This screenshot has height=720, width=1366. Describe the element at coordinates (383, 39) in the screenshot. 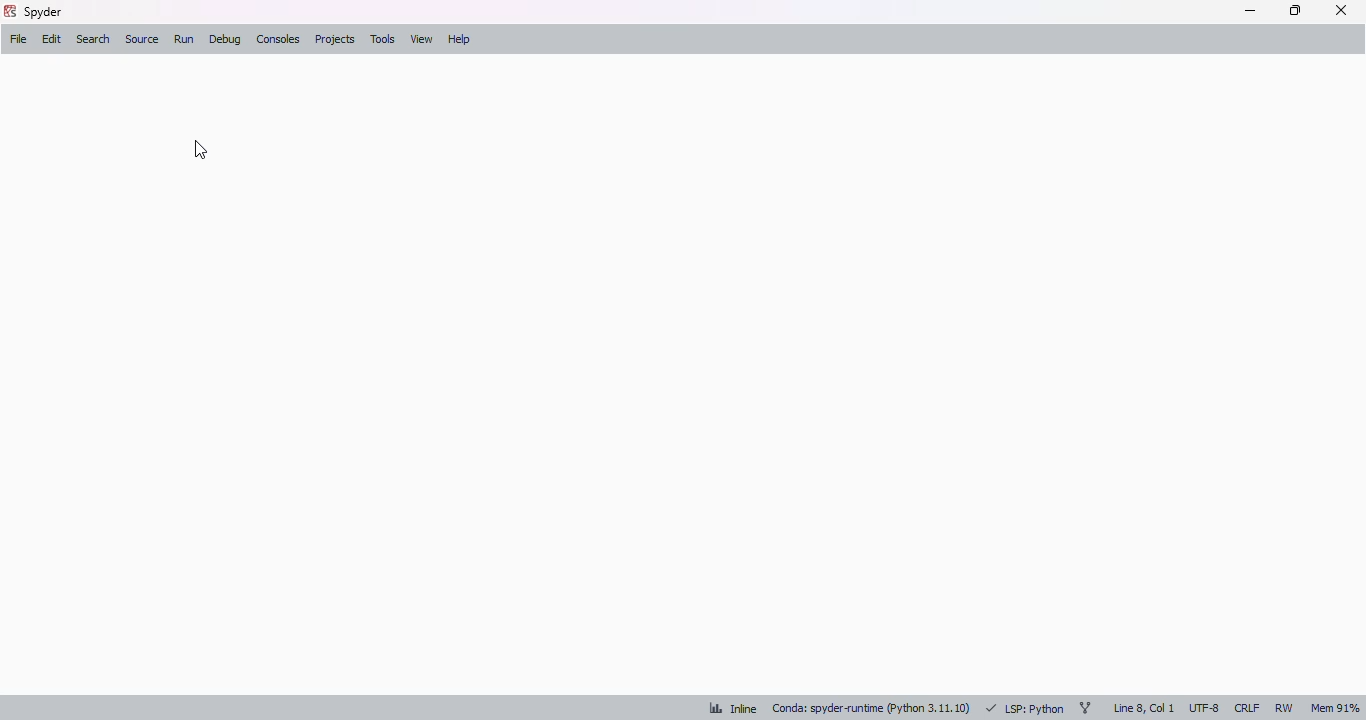

I see `tools` at that location.